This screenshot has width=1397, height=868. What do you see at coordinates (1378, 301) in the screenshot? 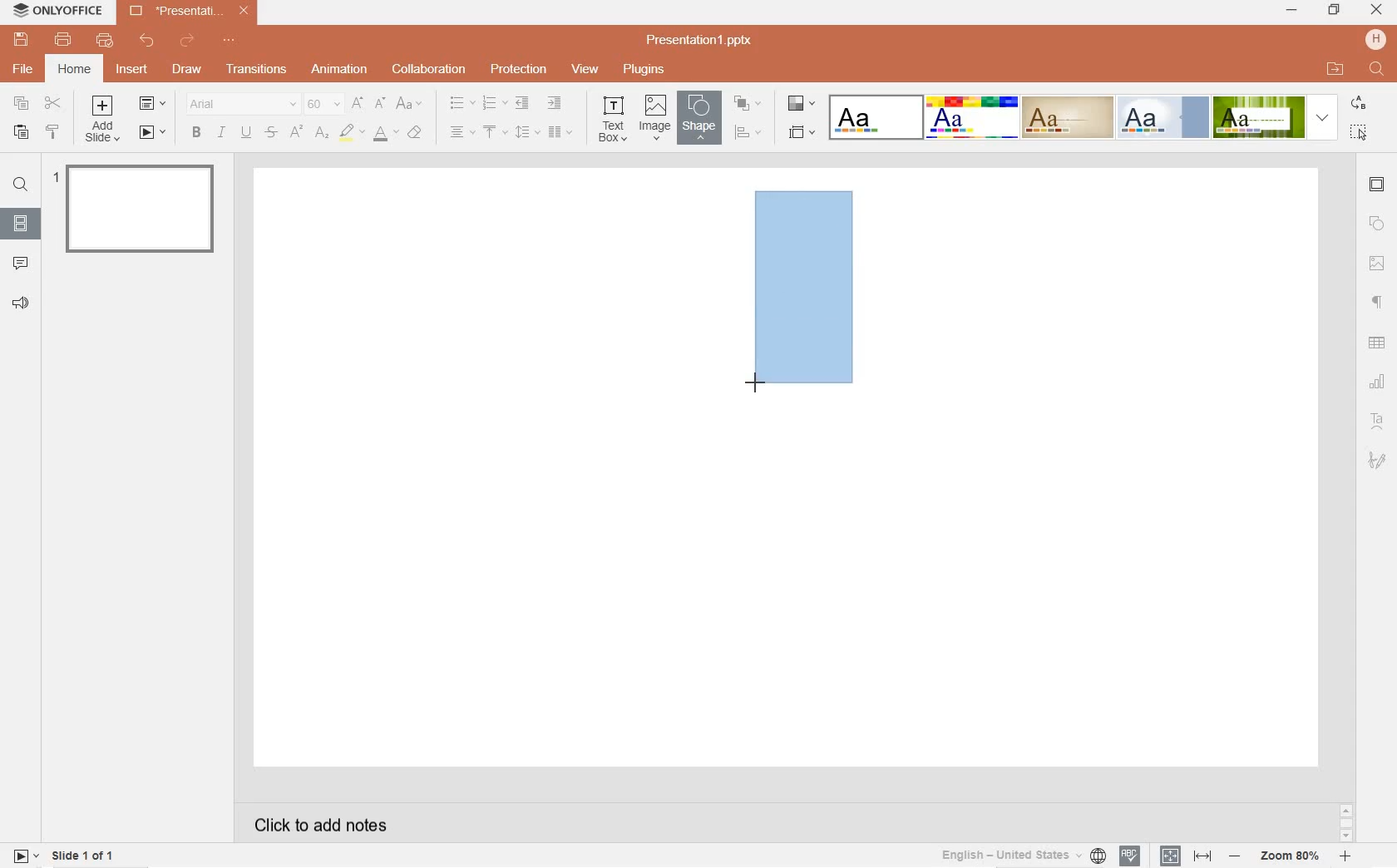
I see `paragraph settings` at bounding box center [1378, 301].